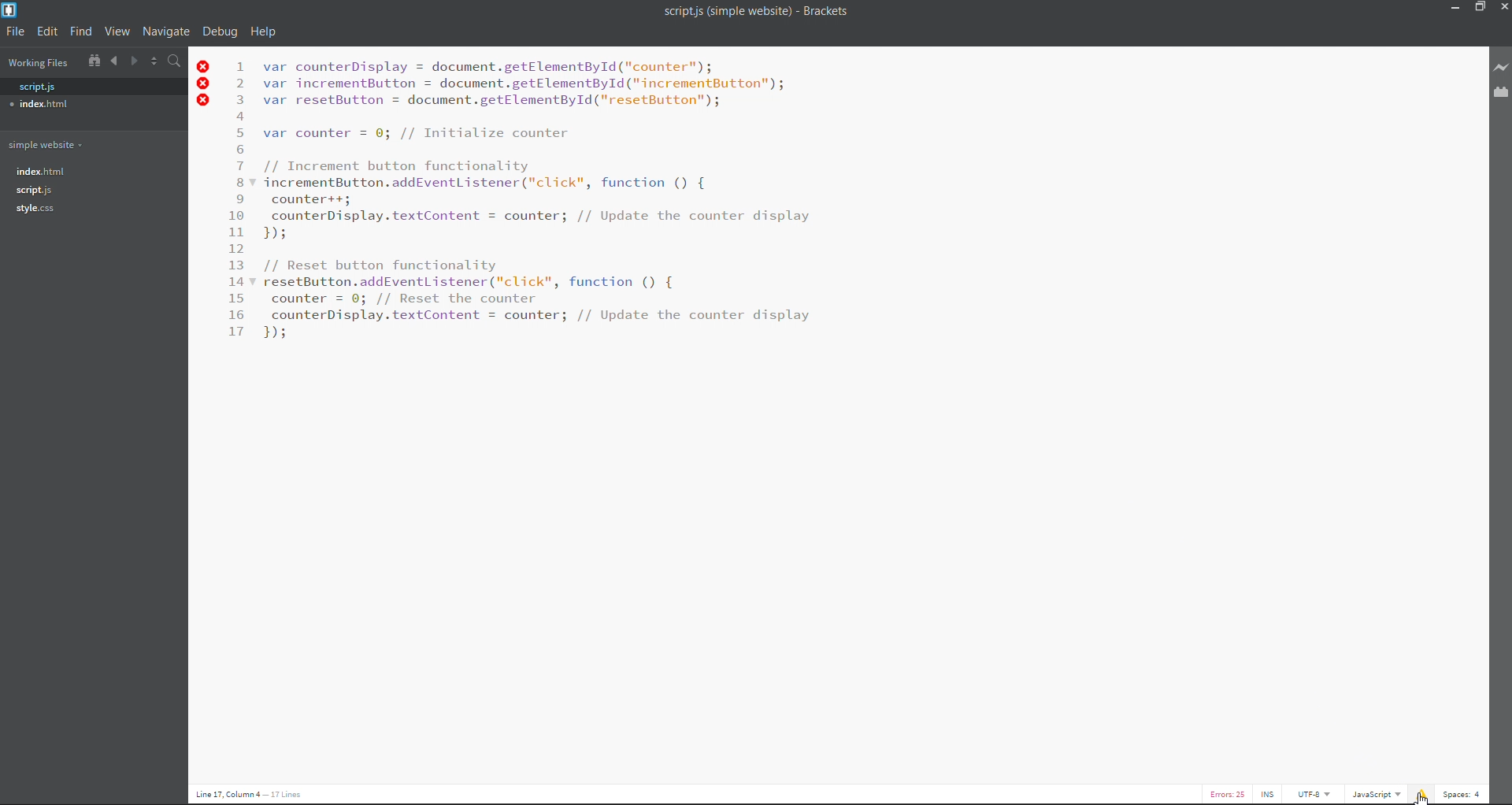  Describe the element at coordinates (764, 13) in the screenshot. I see `scriptjs (simple website) - Brackets` at that location.